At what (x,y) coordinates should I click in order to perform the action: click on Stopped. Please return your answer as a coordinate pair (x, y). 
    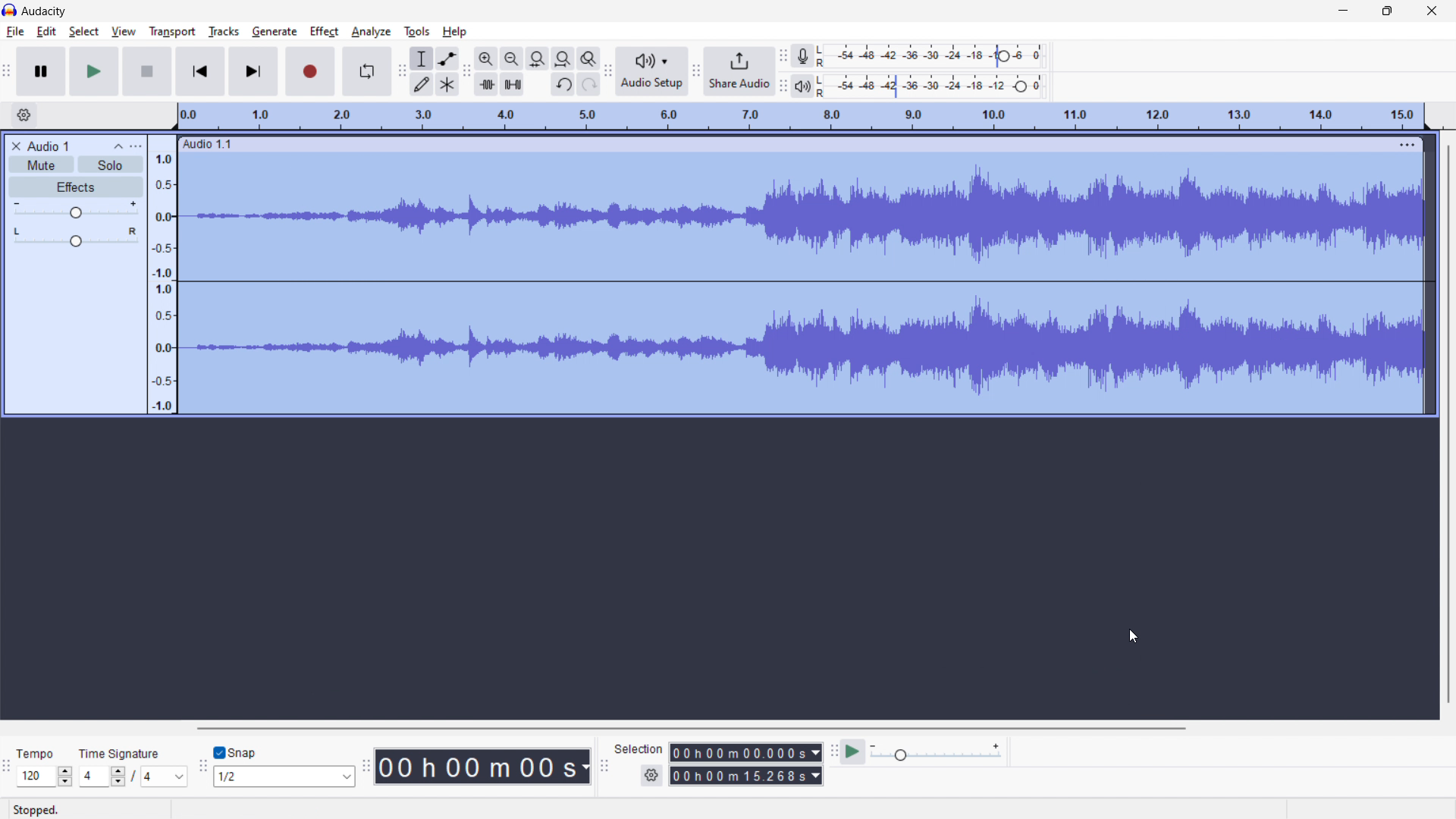
    Looking at the image, I should click on (95, 808).